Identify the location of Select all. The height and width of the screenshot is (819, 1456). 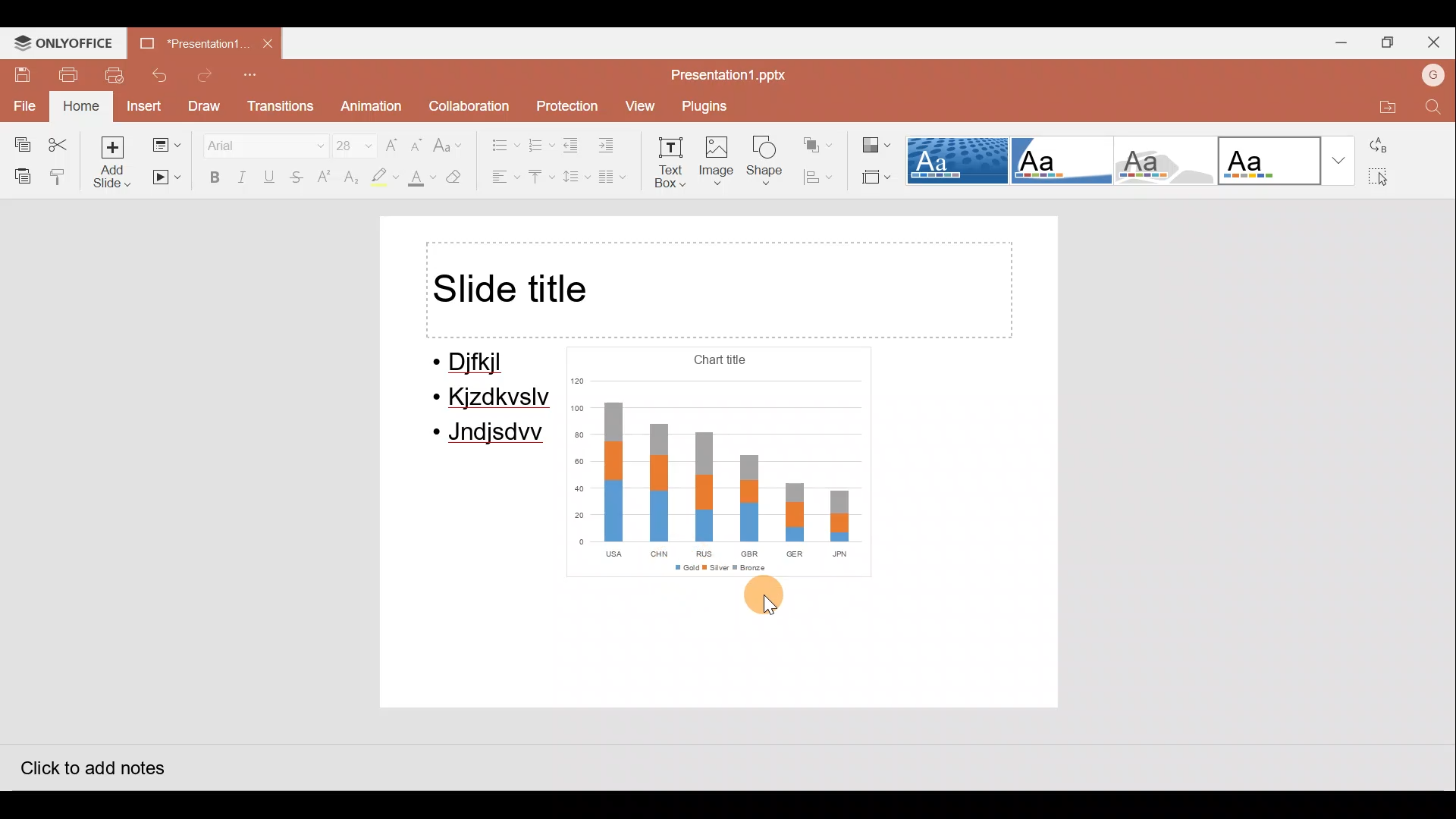
(1388, 178).